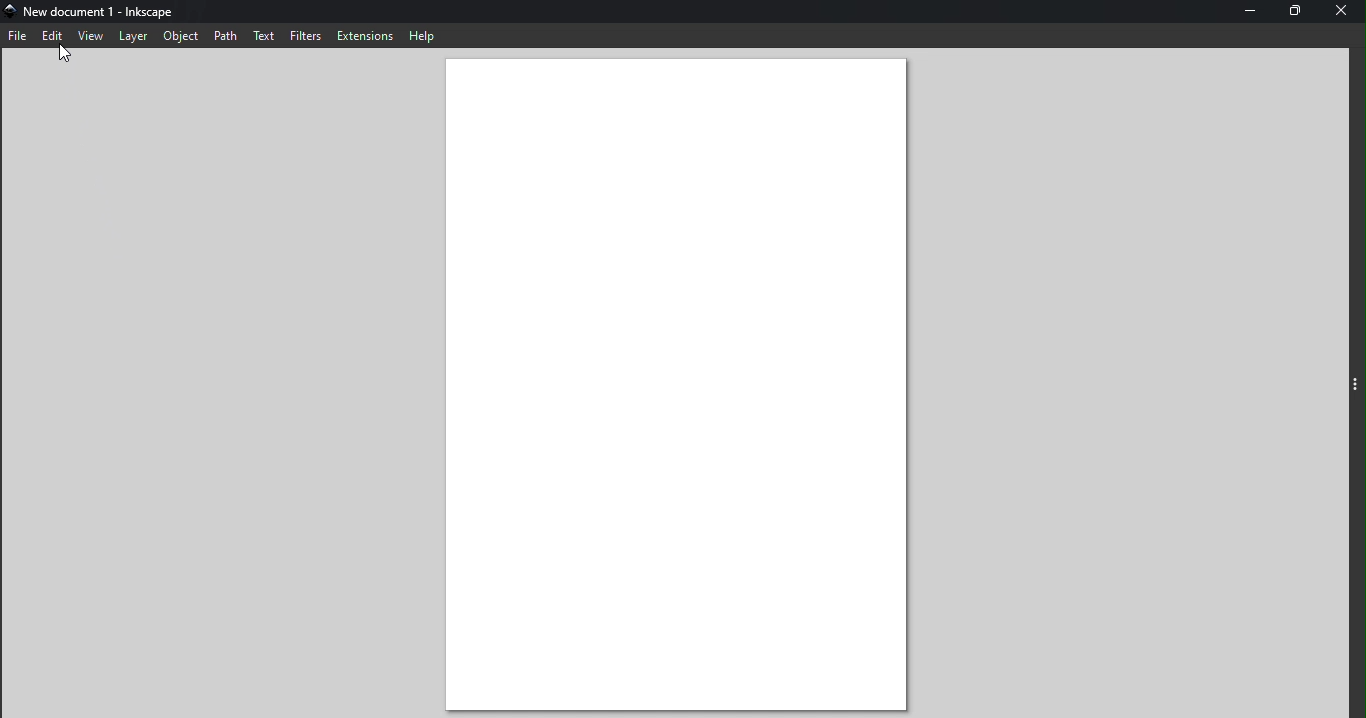 This screenshot has width=1366, height=718. I want to click on File, so click(18, 39).